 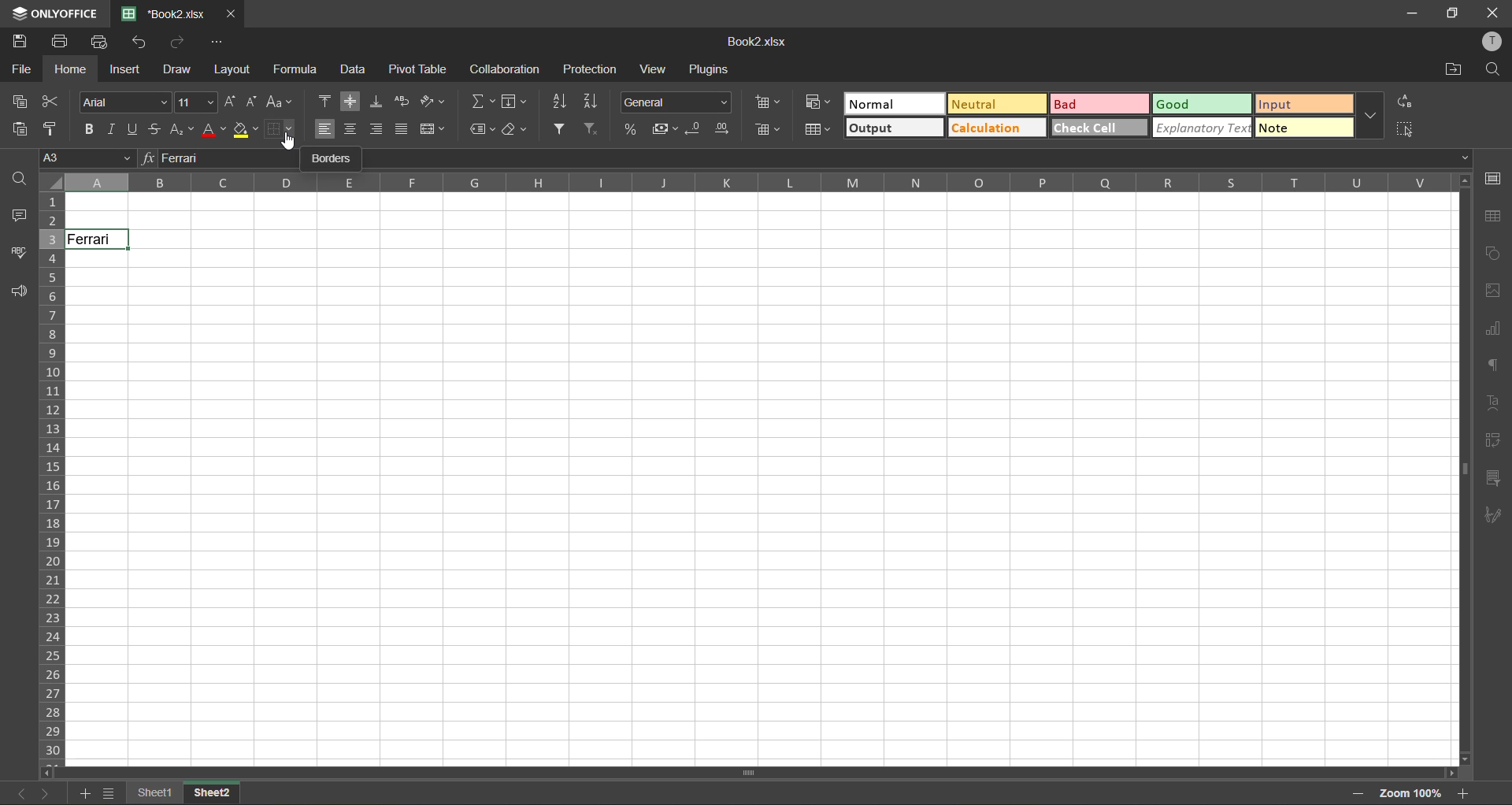 What do you see at coordinates (514, 129) in the screenshot?
I see `clear` at bounding box center [514, 129].